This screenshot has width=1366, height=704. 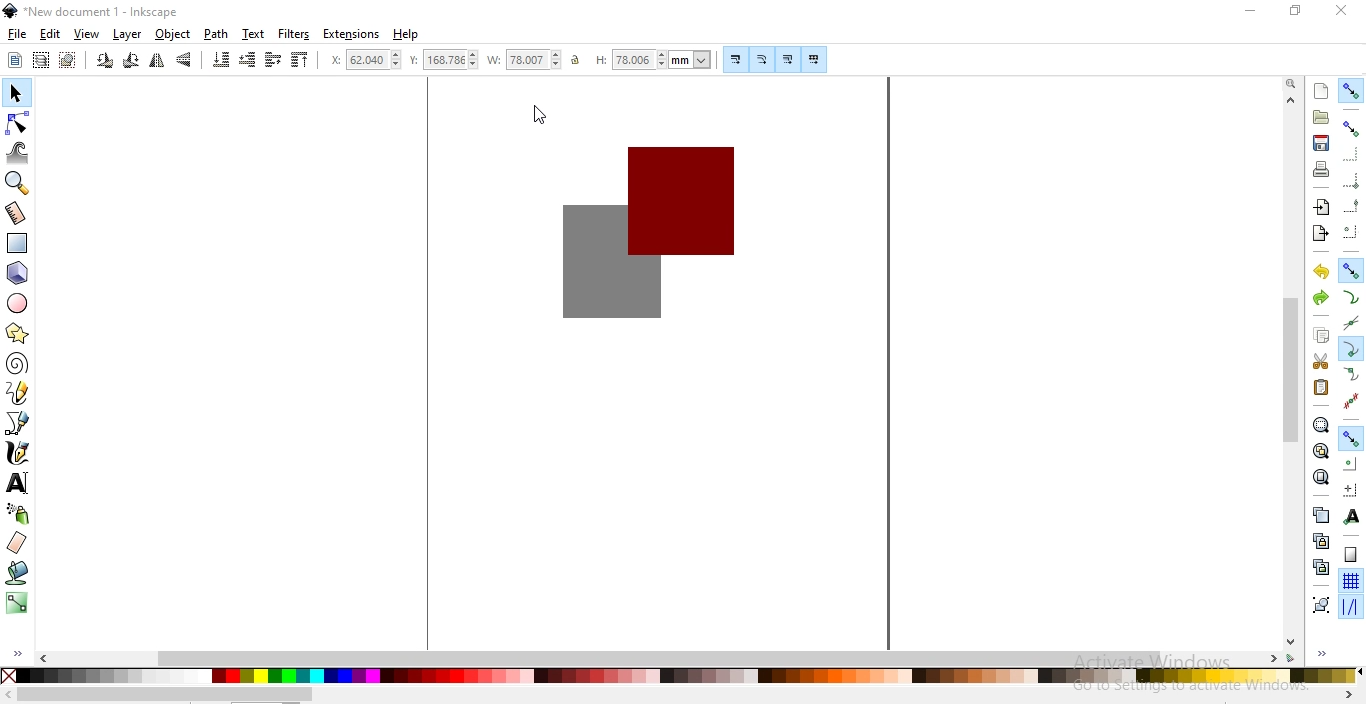 I want to click on export a bitmap, so click(x=1319, y=234).